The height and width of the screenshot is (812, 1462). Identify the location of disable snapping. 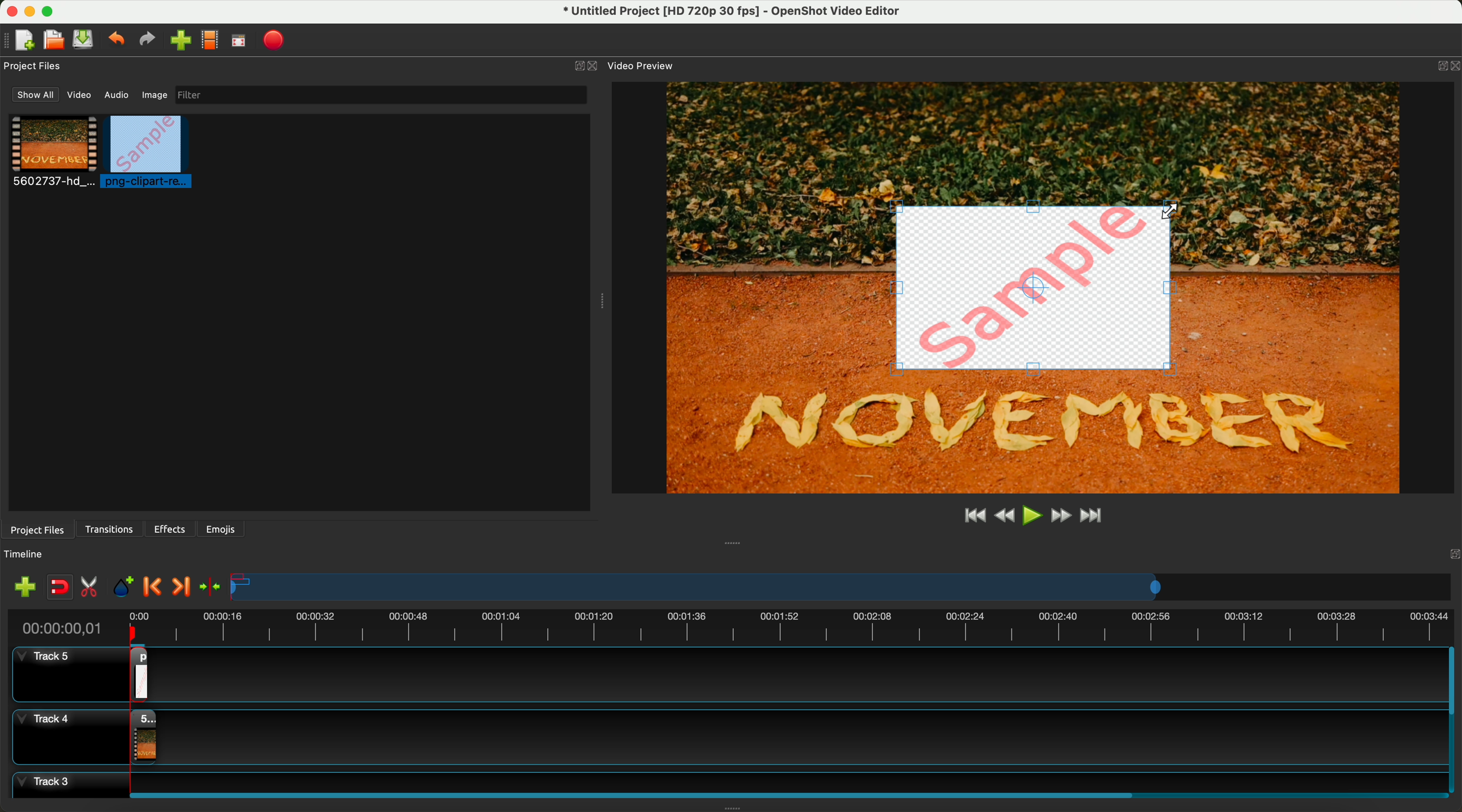
(60, 588).